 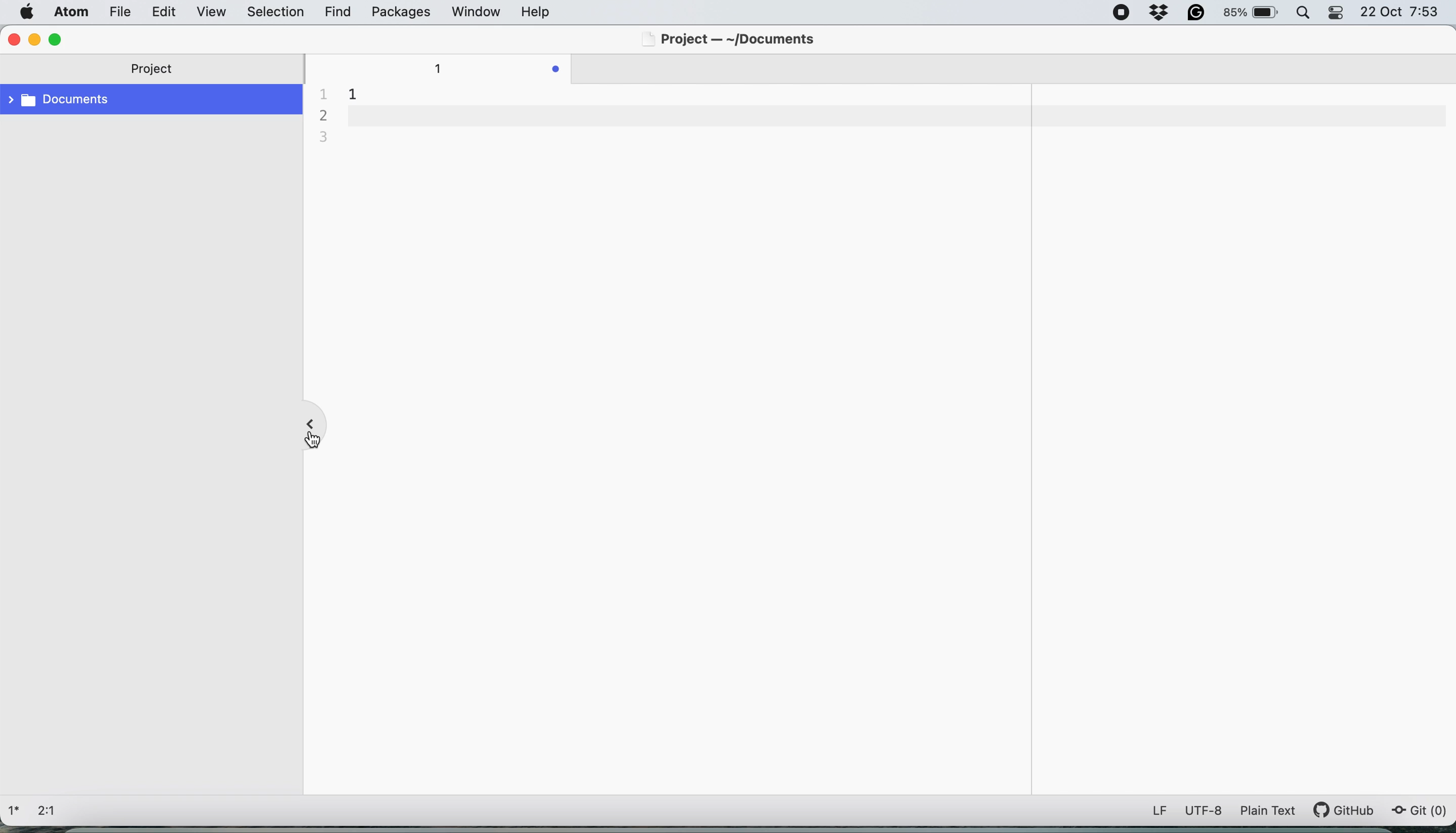 What do you see at coordinates (399, 14) in the screenshot?
I see `packages` at bounding box center [399, 14].